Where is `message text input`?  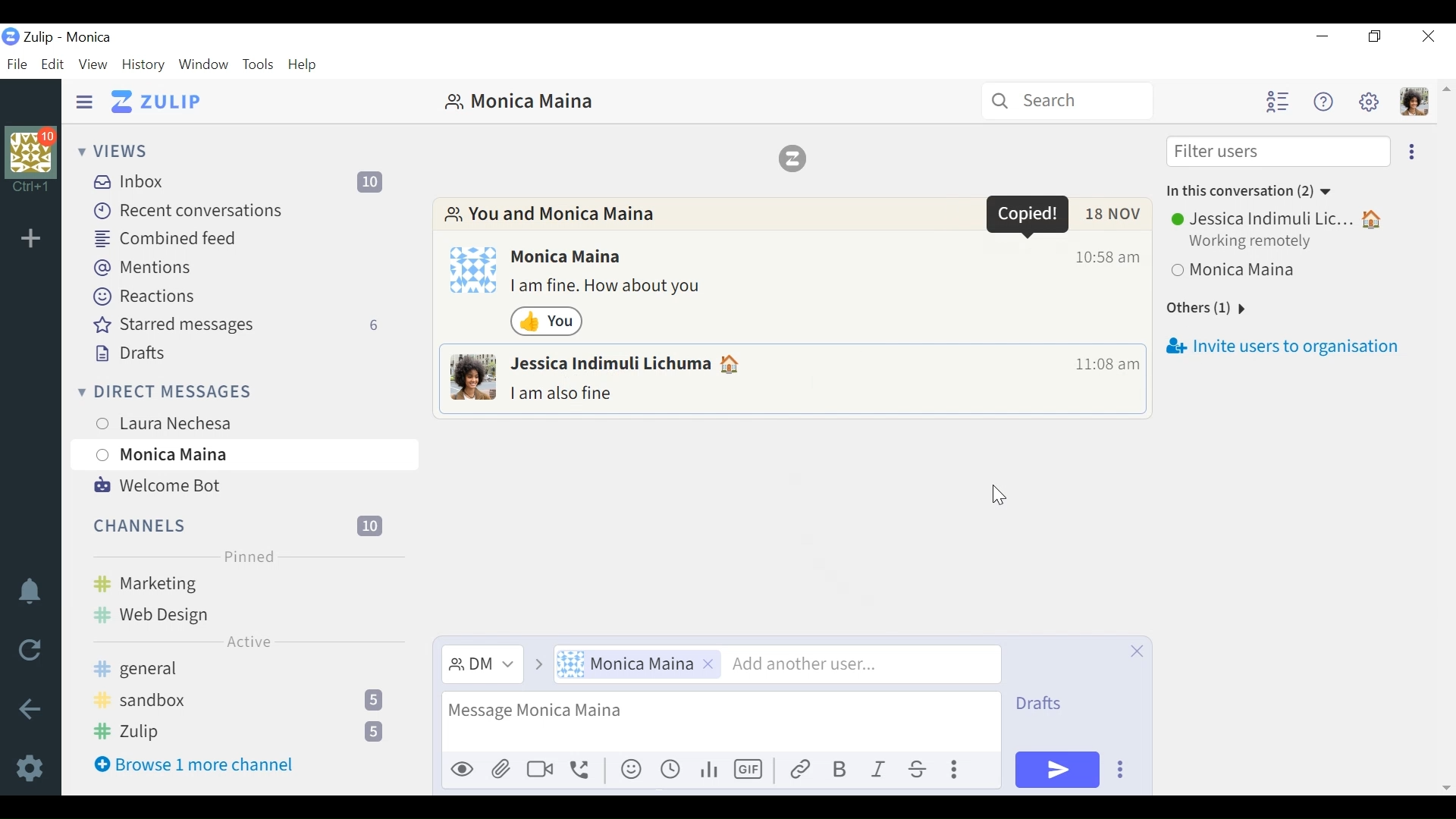
message text input is located at coordinates (717, 723).